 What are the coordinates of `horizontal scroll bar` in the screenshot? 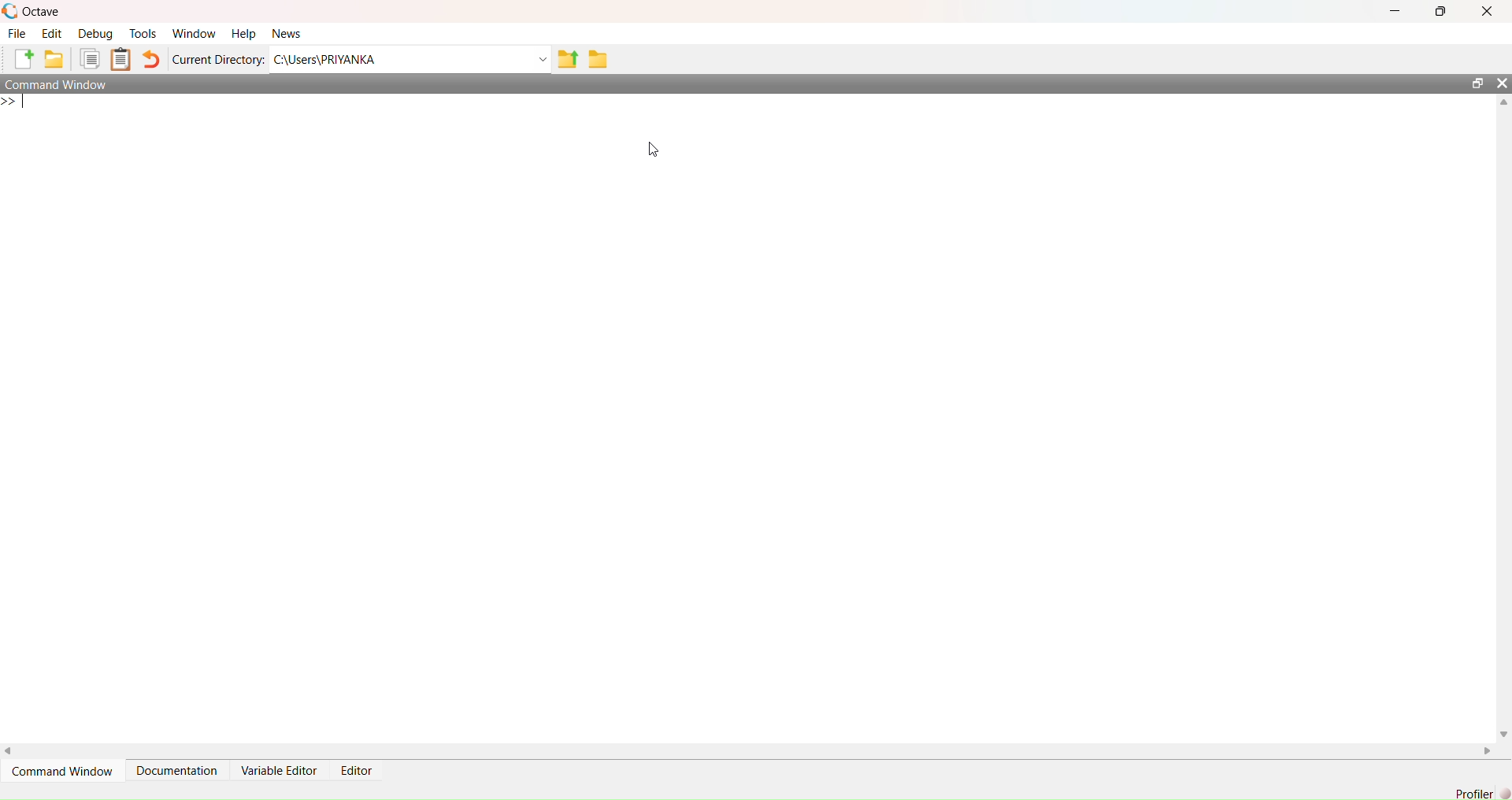 It's located at (749, 750).